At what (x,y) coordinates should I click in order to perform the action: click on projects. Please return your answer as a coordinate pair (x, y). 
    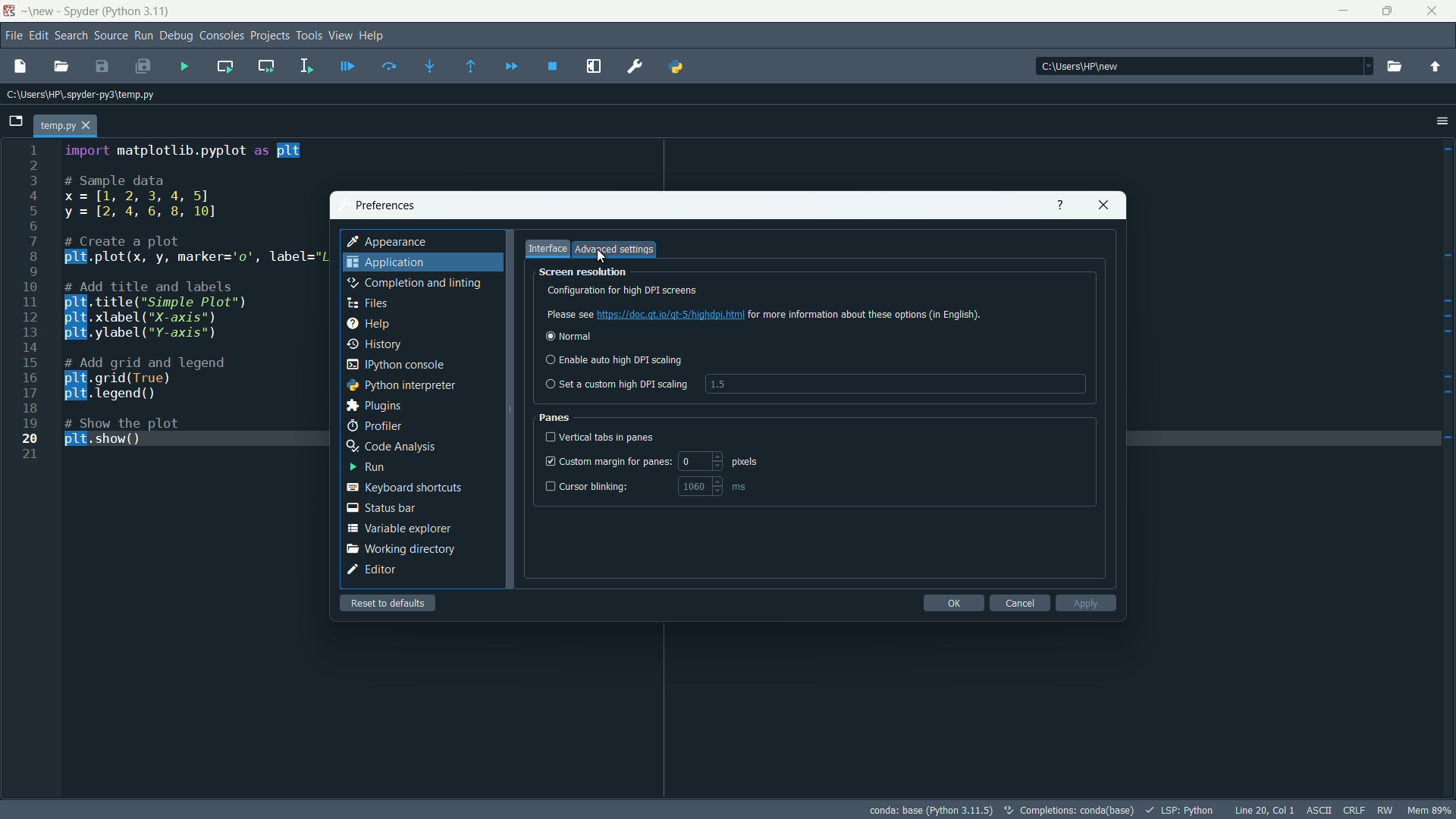
    Looking at the image, I should click on (269, 36).